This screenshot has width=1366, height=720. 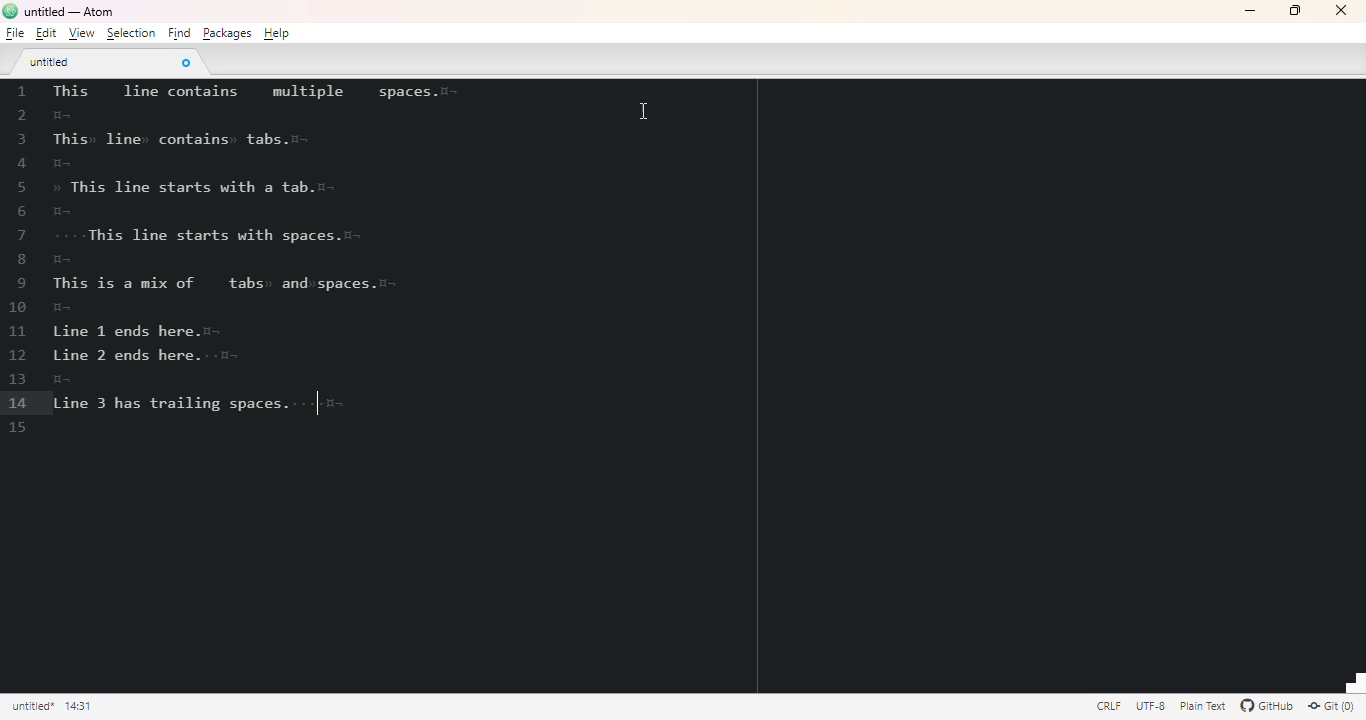 I want to click on invisible characters, so click(x=213, y=331).